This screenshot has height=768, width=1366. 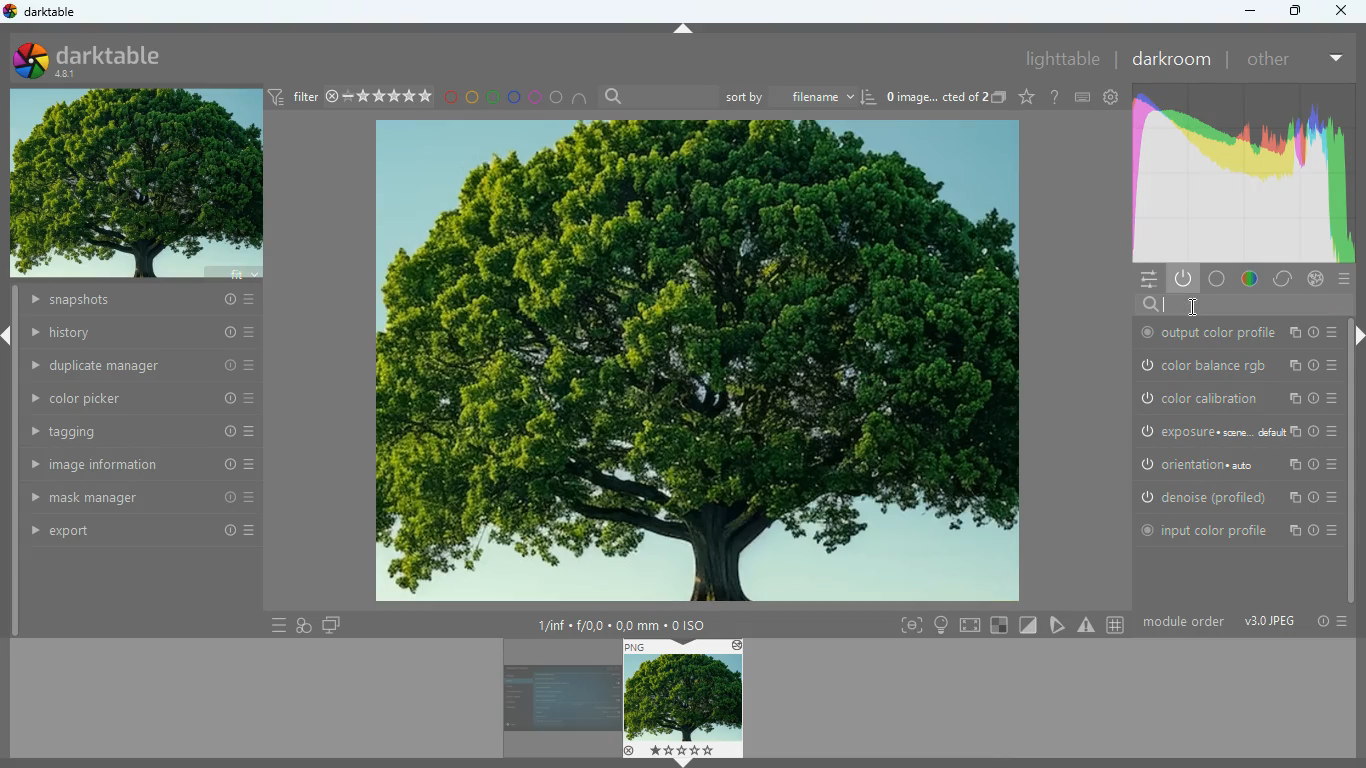 What do you see at coordinates (1271, 60) in the screenshot?
I see `other` at bounding box center [1271, 60].